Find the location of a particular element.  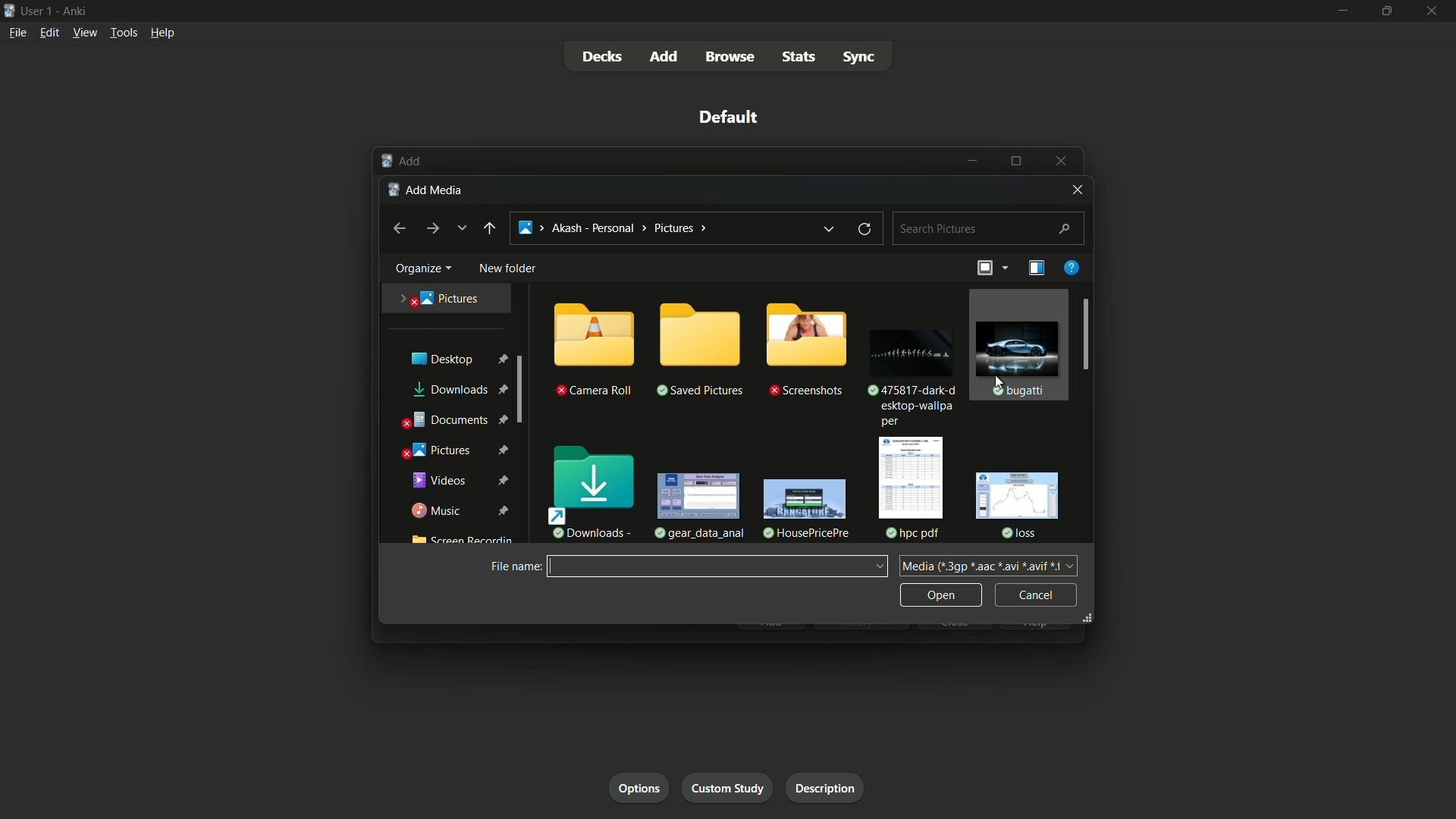

custom study is located at coordinates (730, 786).